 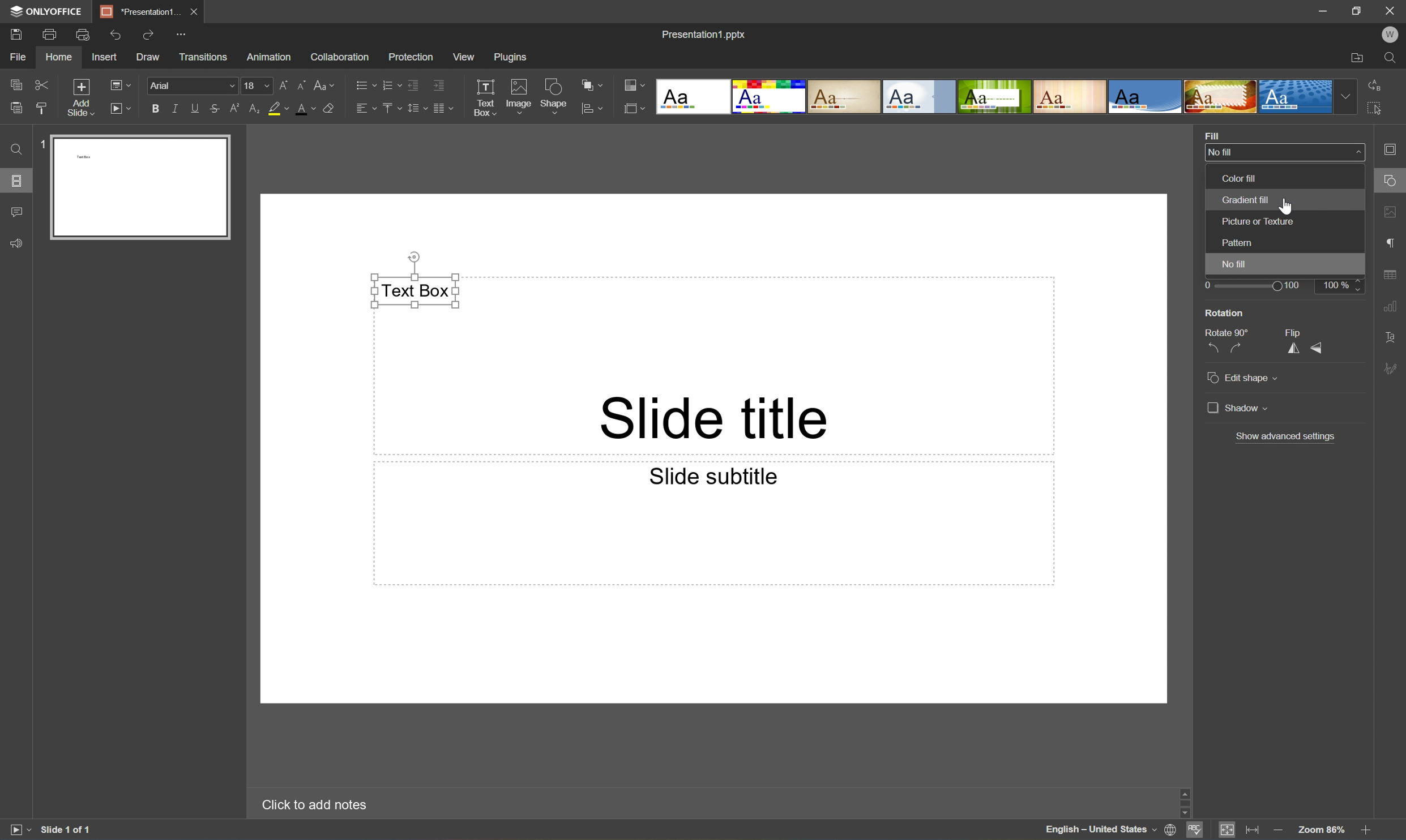 What do you see at coordinates (257, 84) in the screenshot?
I see `Font size` at bounding box center [257, 84].